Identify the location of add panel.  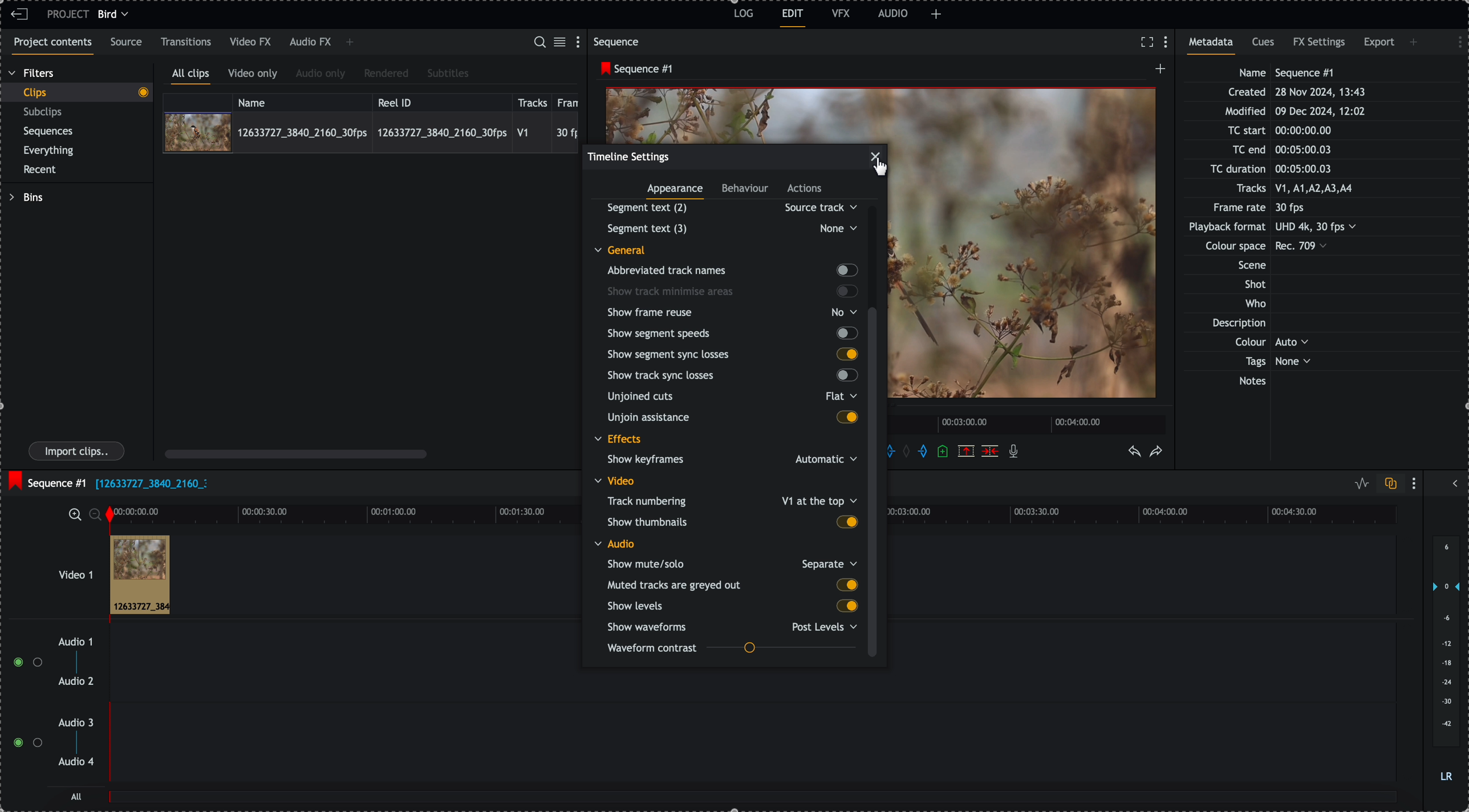
(936, 14).